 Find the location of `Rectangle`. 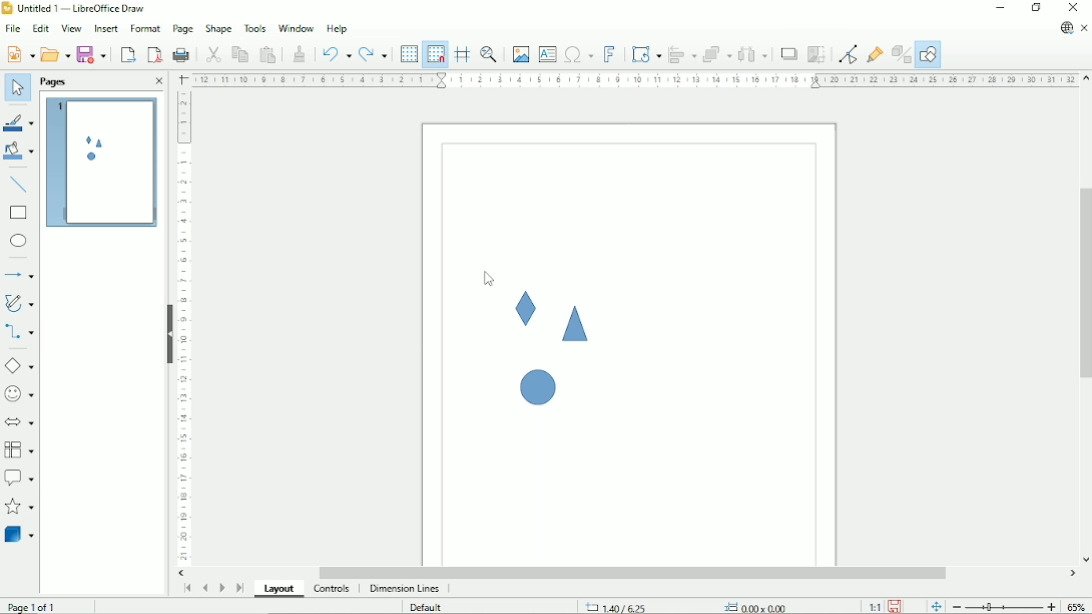

Rectangle is located at coordinates (19, 213).